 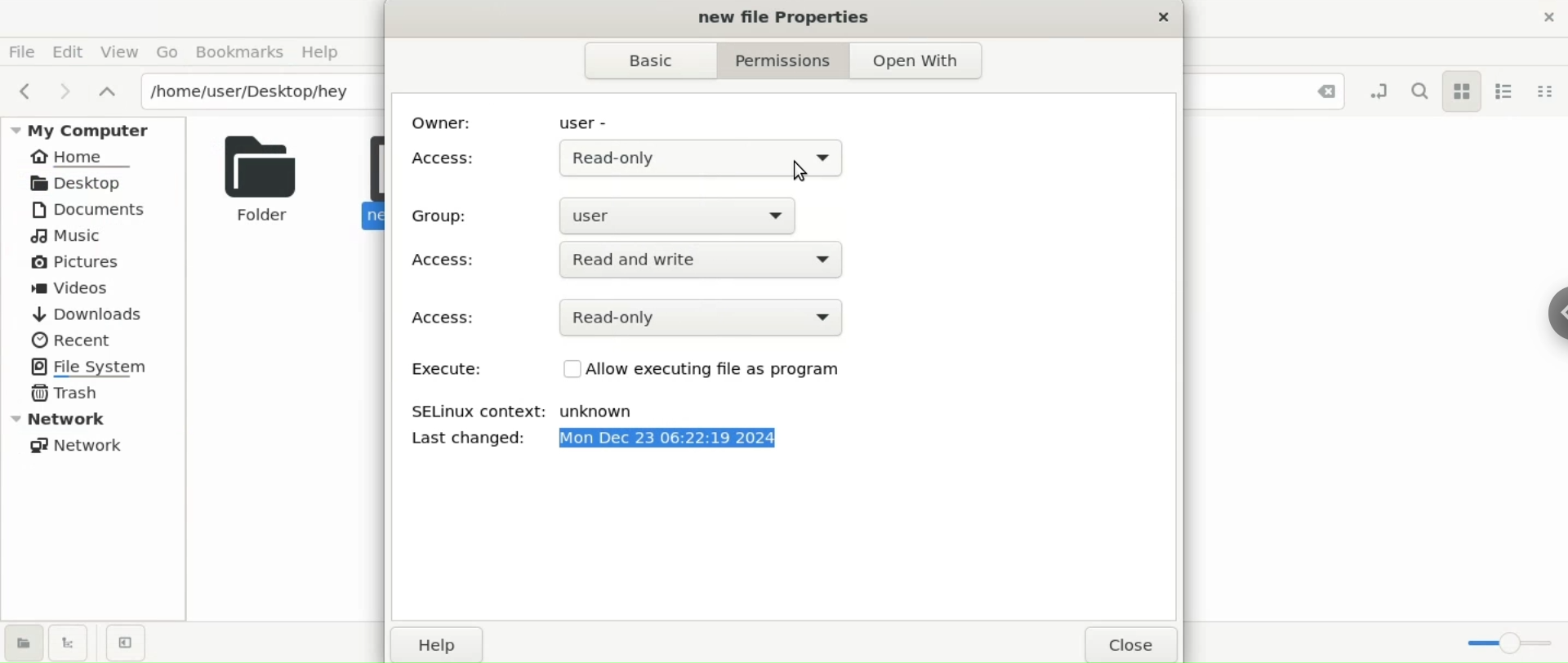 What do you see at coordinates (106, 90) in the screenshot?
I see `parent folders` at bounding box center [106, 90].